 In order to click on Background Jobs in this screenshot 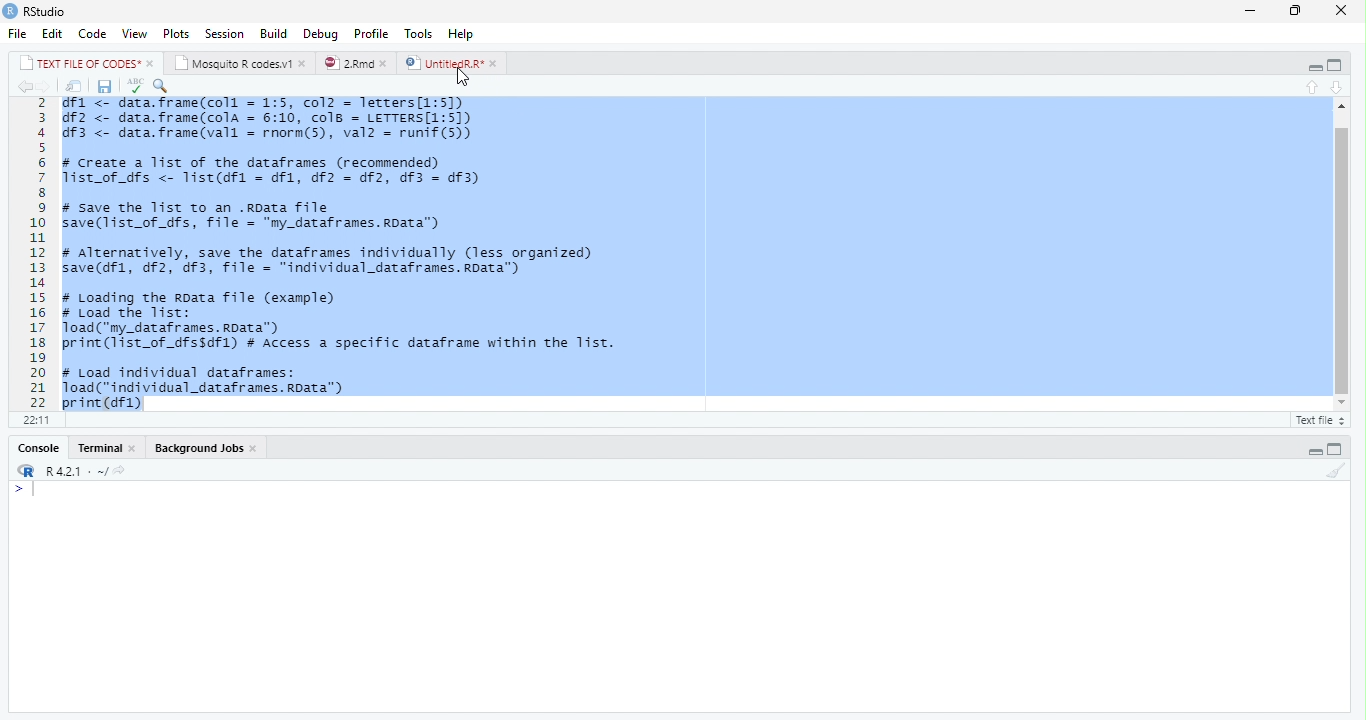, I will do `click(202, 448)`.